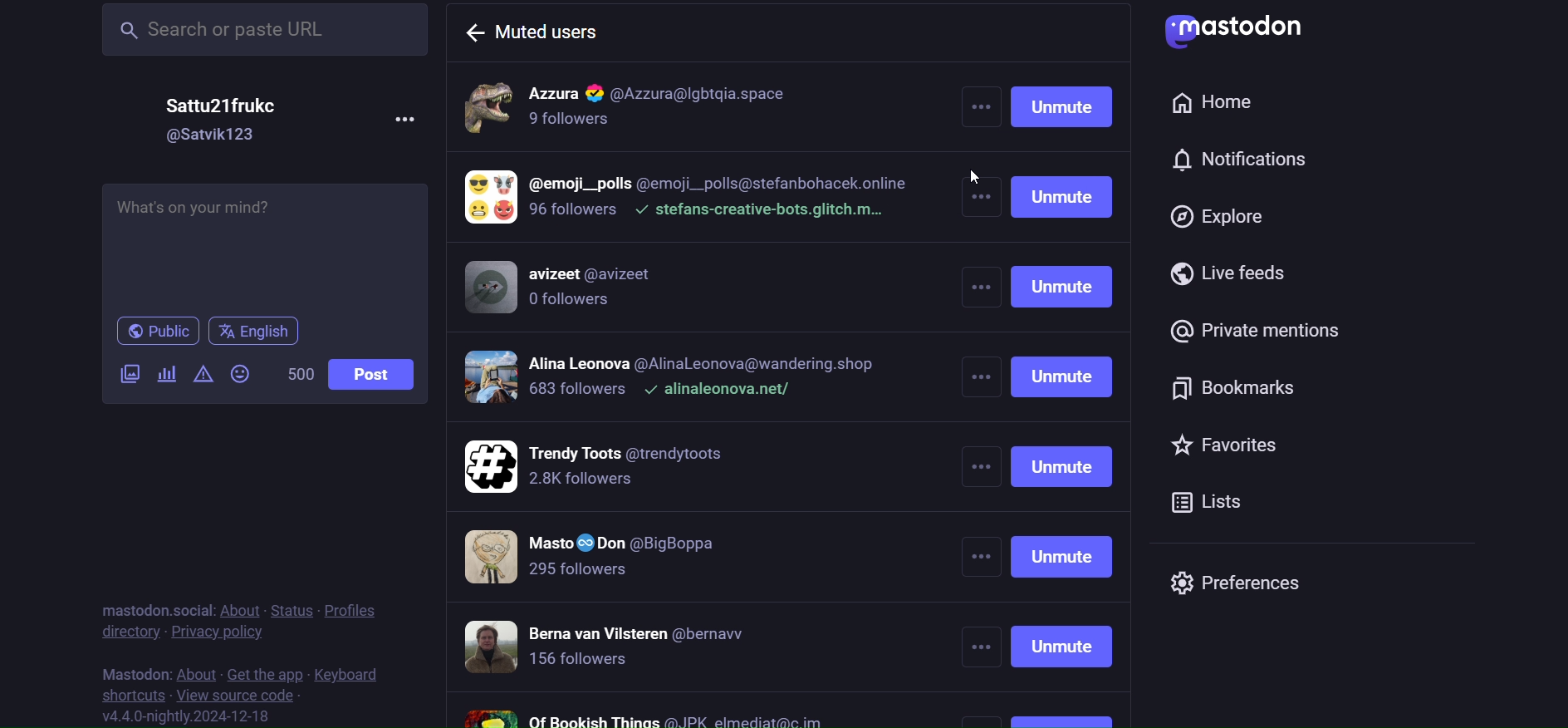 Image resolution: width=1568 pixels, height=728 pixels. Describe the element at coordinates (266, 676) in the screenshot. I see `get the app` at that location.